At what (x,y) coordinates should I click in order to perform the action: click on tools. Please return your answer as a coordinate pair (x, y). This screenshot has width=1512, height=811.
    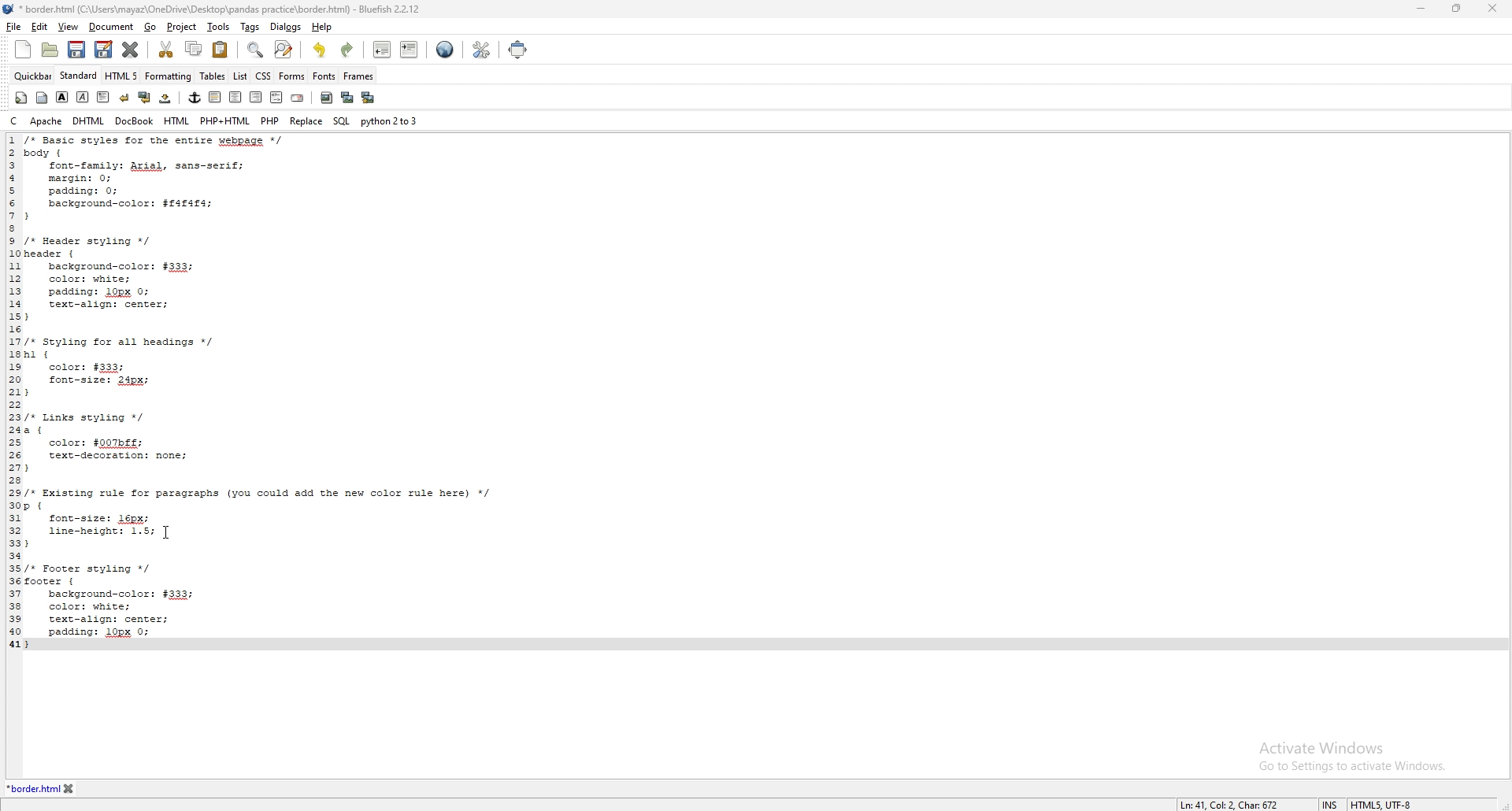
    Looking at the image, I should click on (217, 26).